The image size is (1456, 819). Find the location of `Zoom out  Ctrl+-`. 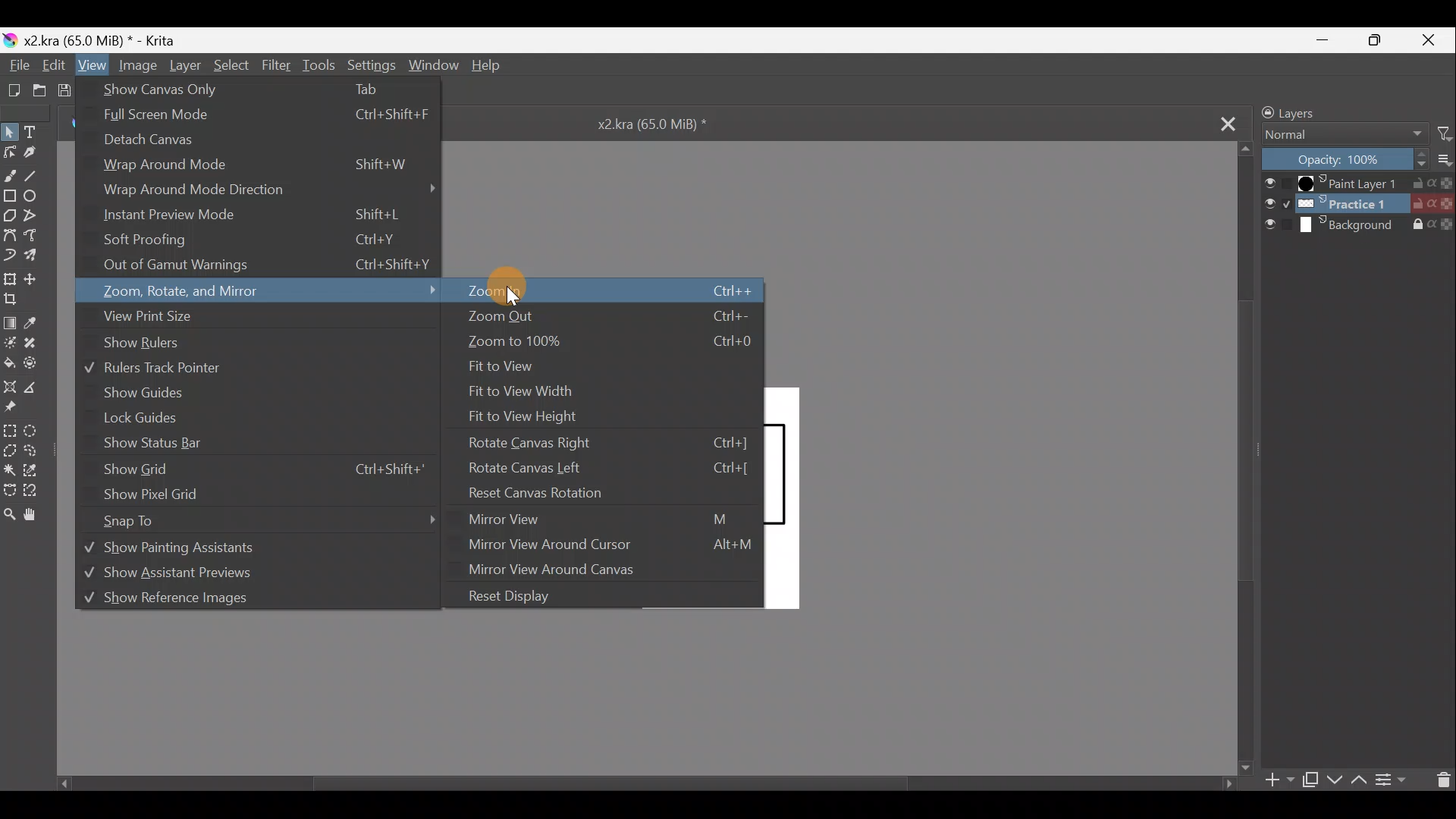

Zoom out  Ctrl+- is located at coordinates (606, 315).